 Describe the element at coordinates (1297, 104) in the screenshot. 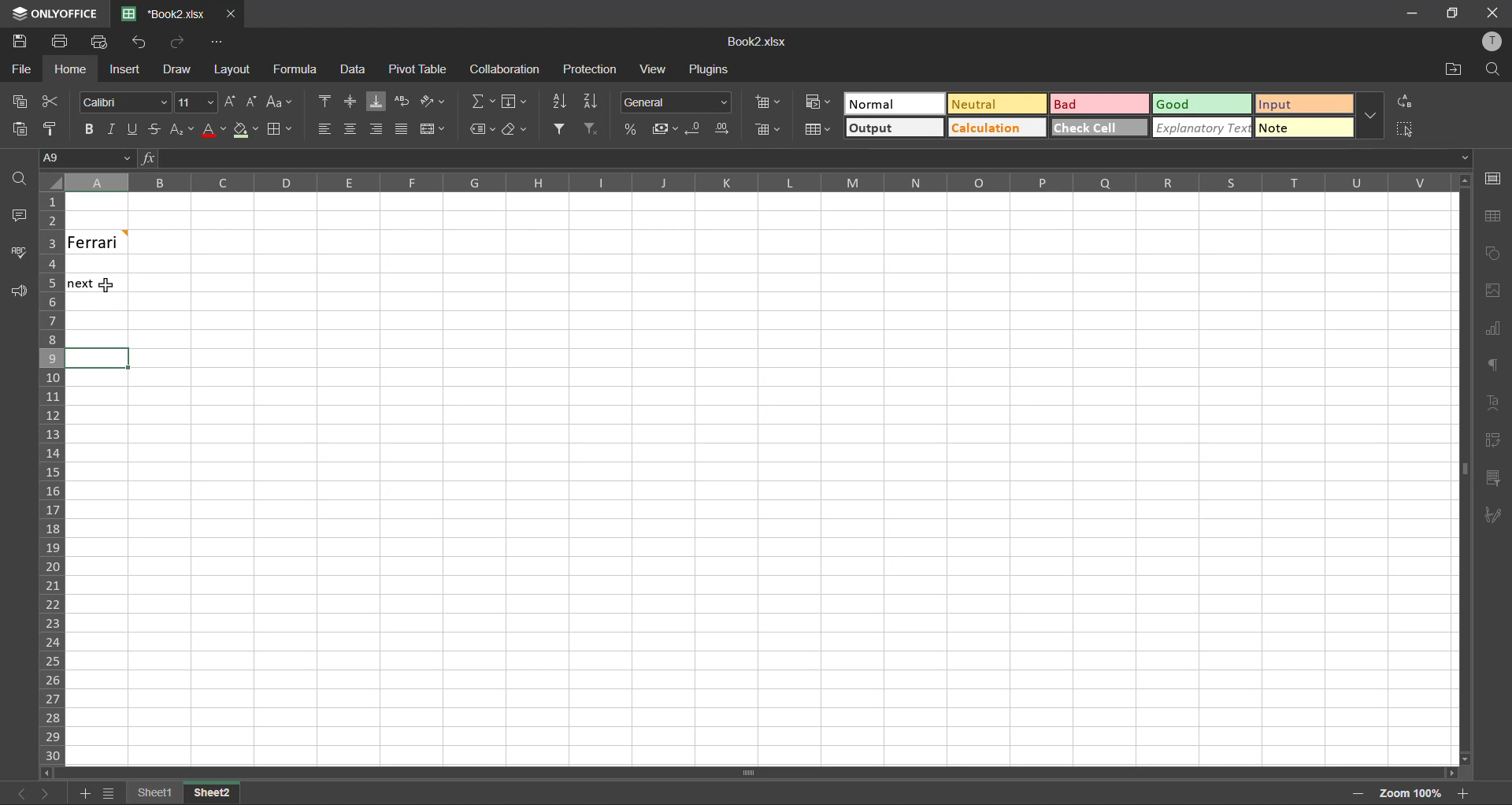

I see `input` at that location.